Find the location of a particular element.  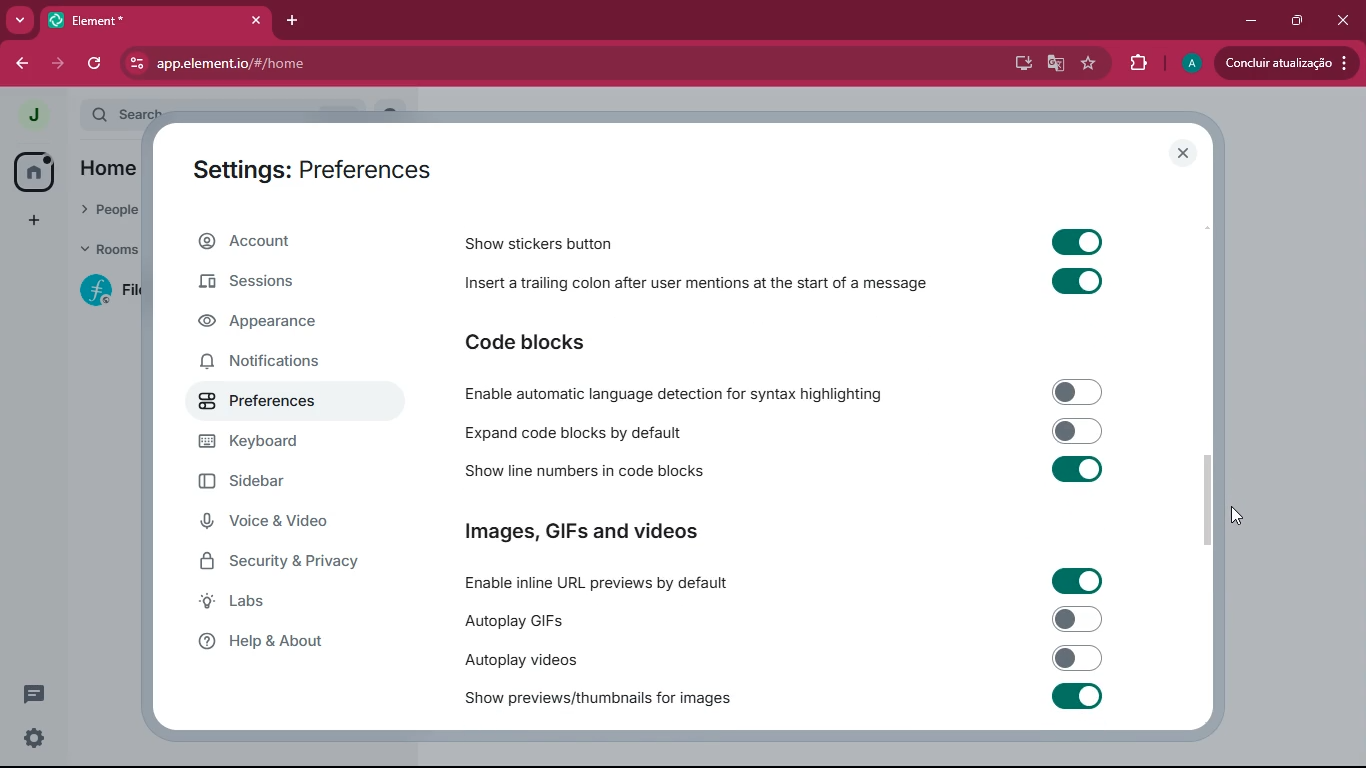

voice is located at coordinates (284, 524).